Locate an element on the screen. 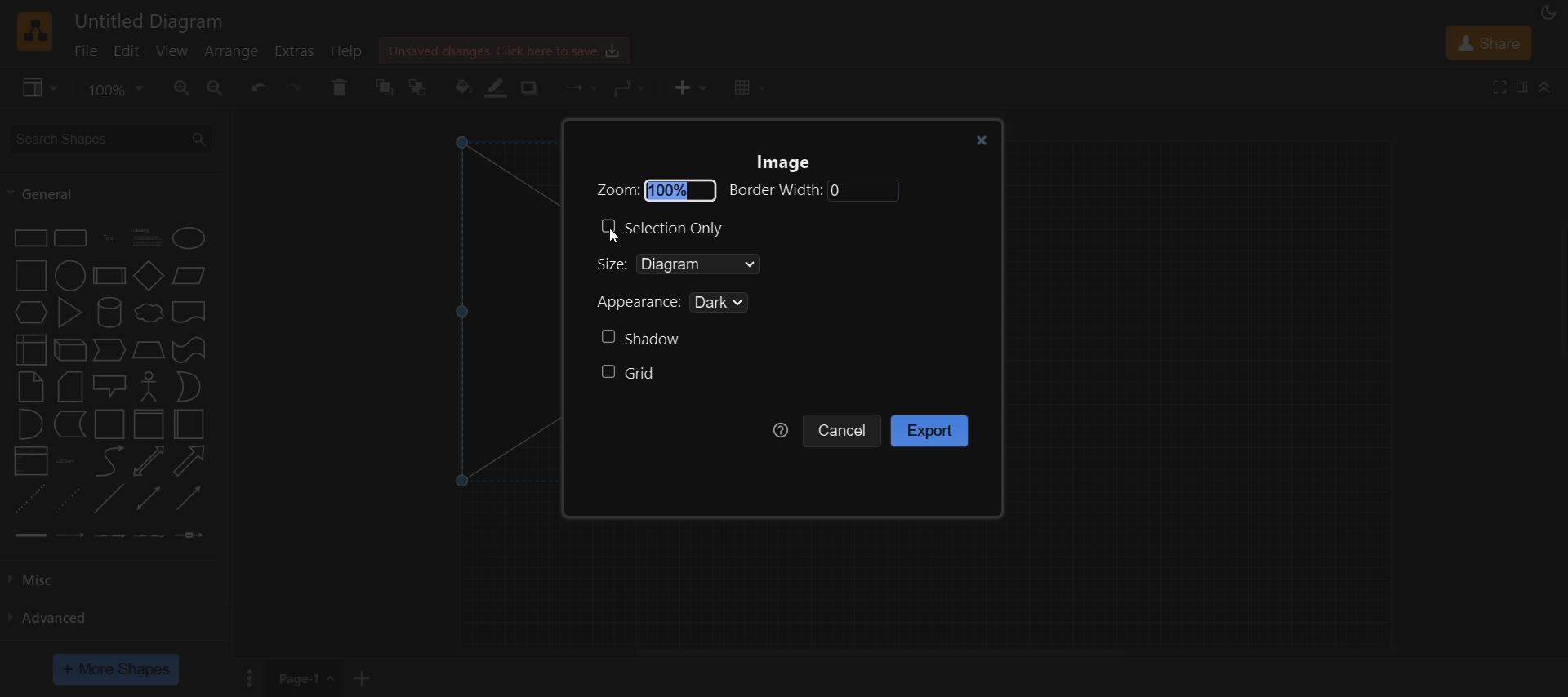  image is located at coordinates (789, 163).